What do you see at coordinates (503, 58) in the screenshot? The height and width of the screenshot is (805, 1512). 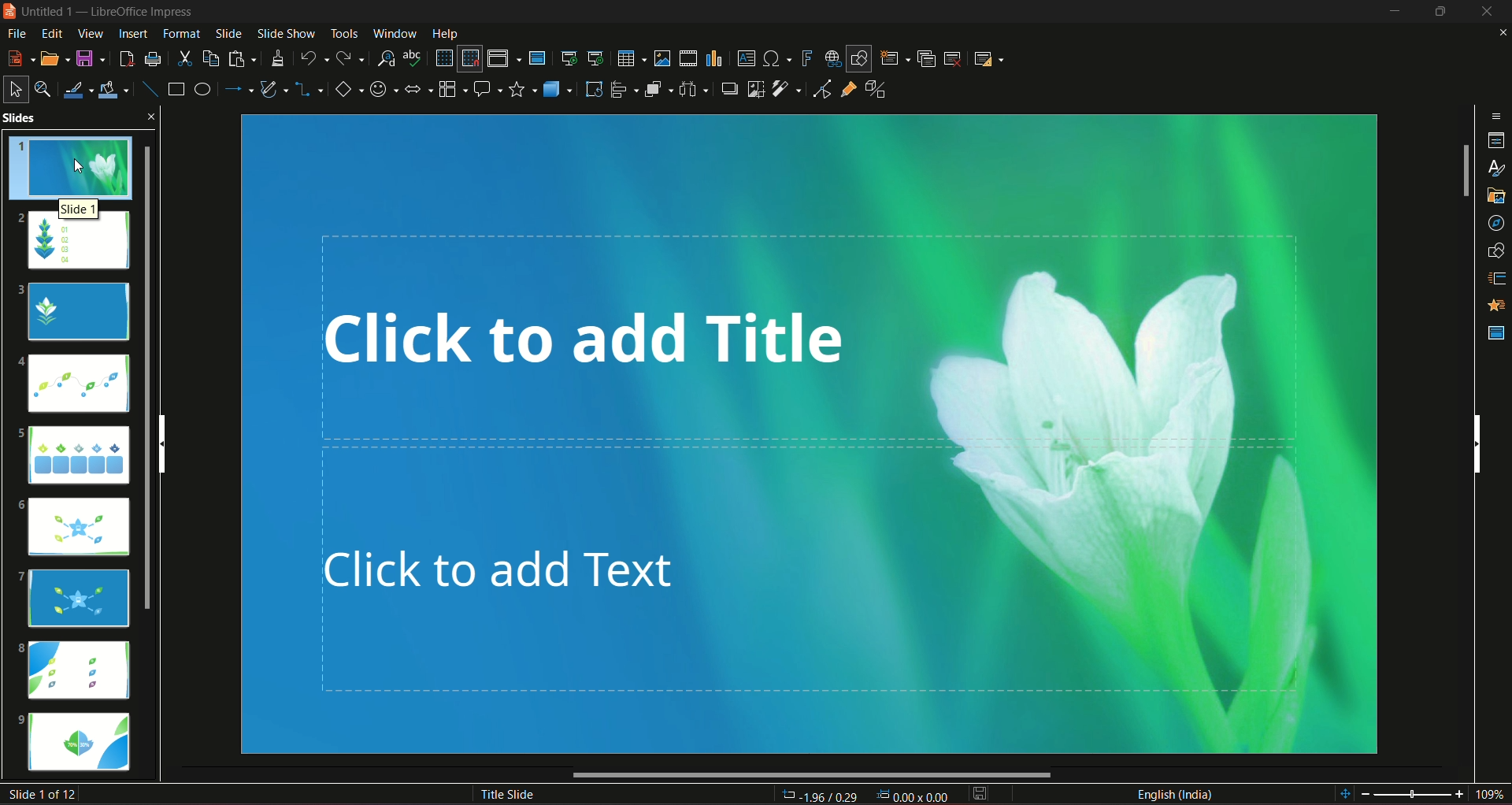 I see `display views` at bounding box center [503, 58].